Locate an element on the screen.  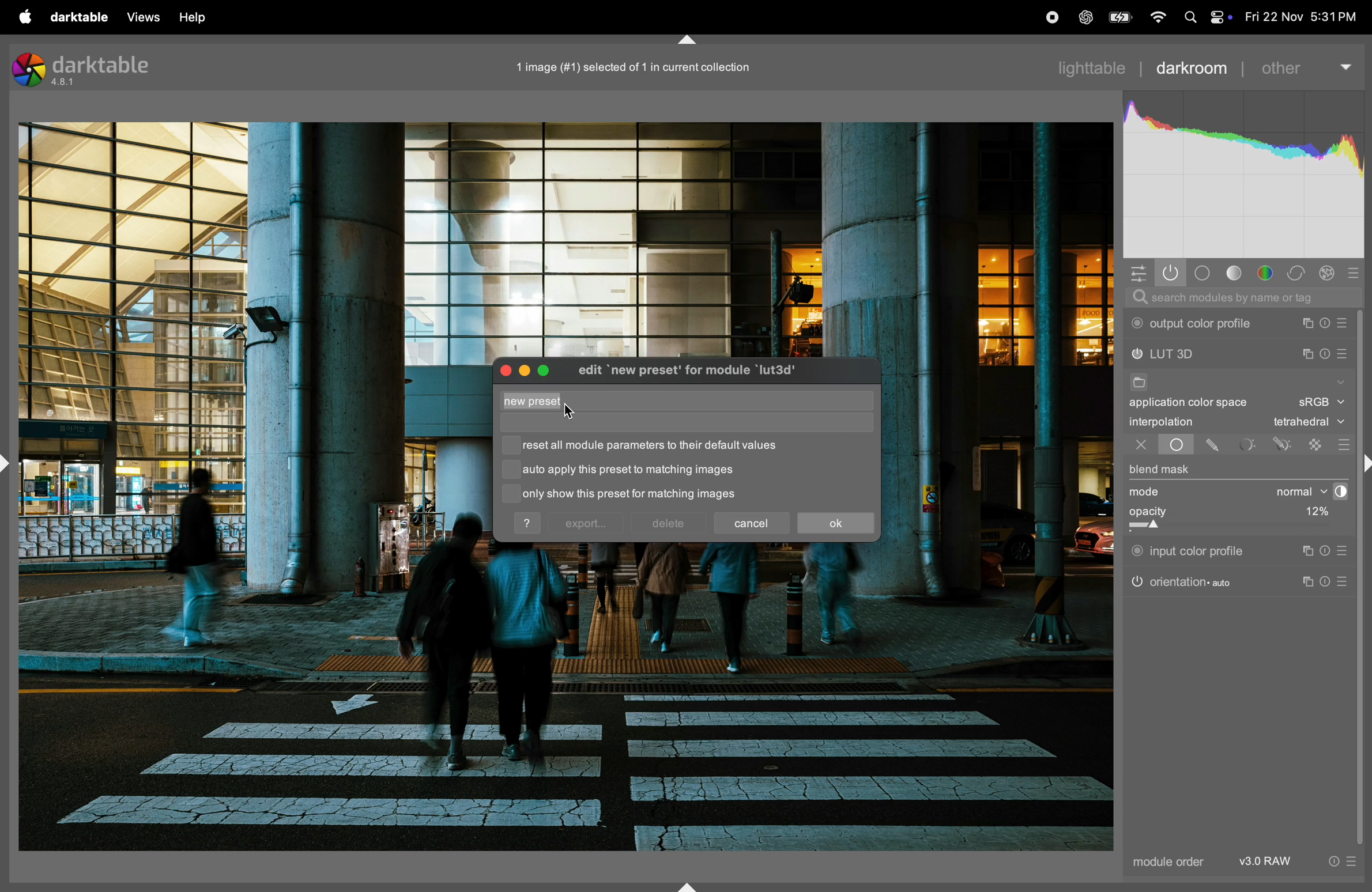
opacity is located at coordinates (1203, 516).